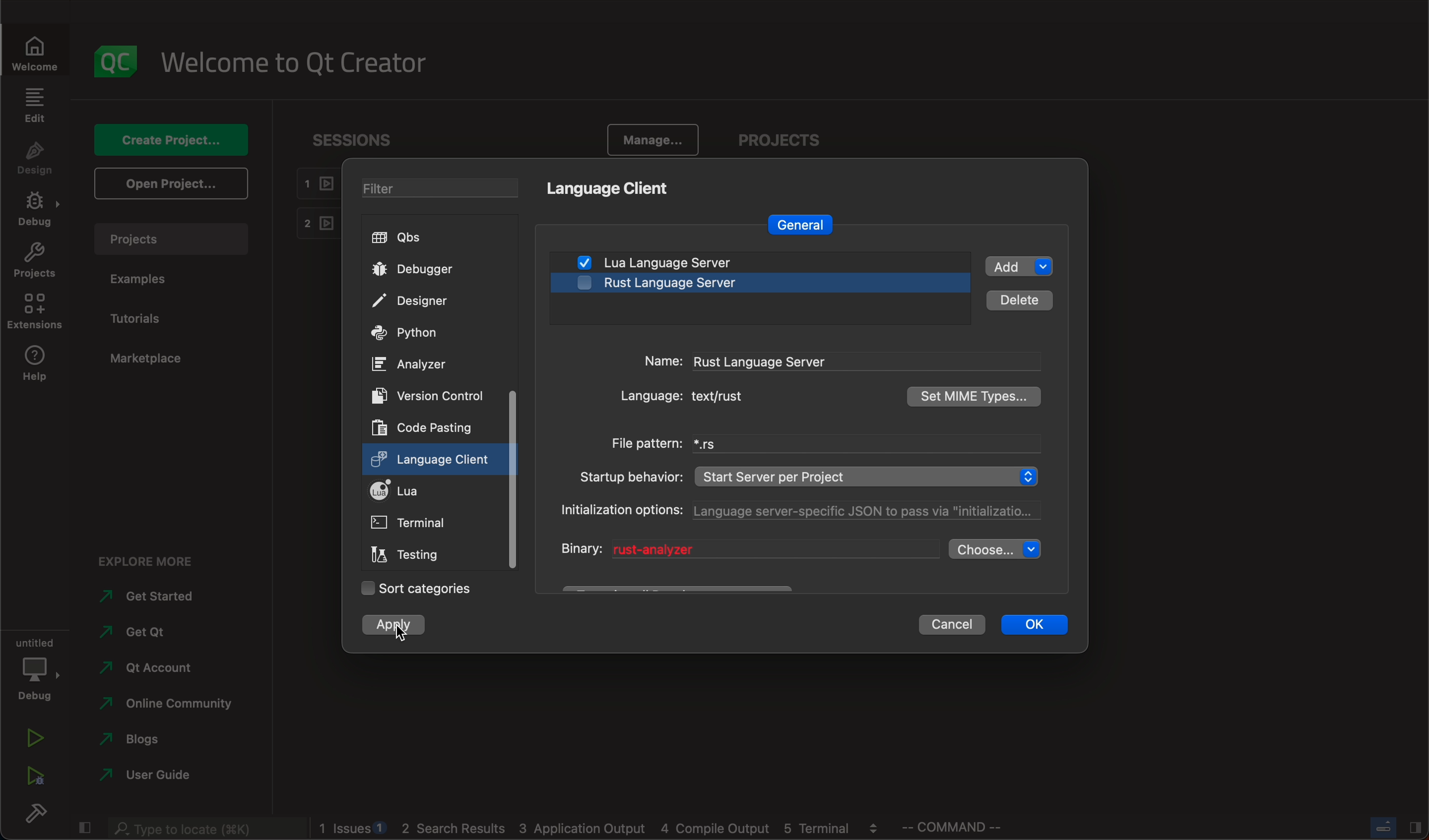  Describe the element at coordinates (35, 50) in the screenshot. I see `welcome` at that location.